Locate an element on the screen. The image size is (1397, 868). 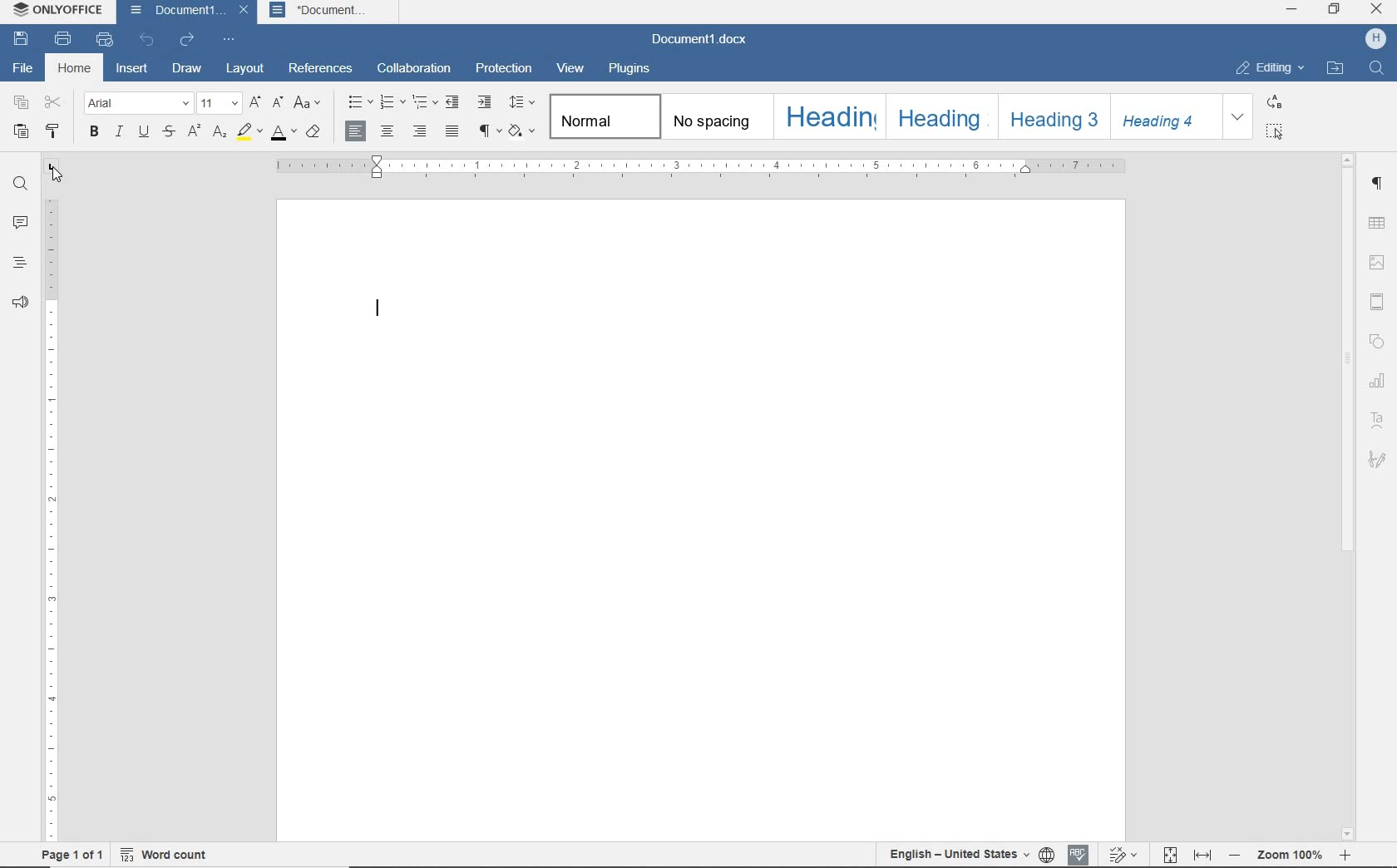
EDITING is located at coordinates (1269, 68).